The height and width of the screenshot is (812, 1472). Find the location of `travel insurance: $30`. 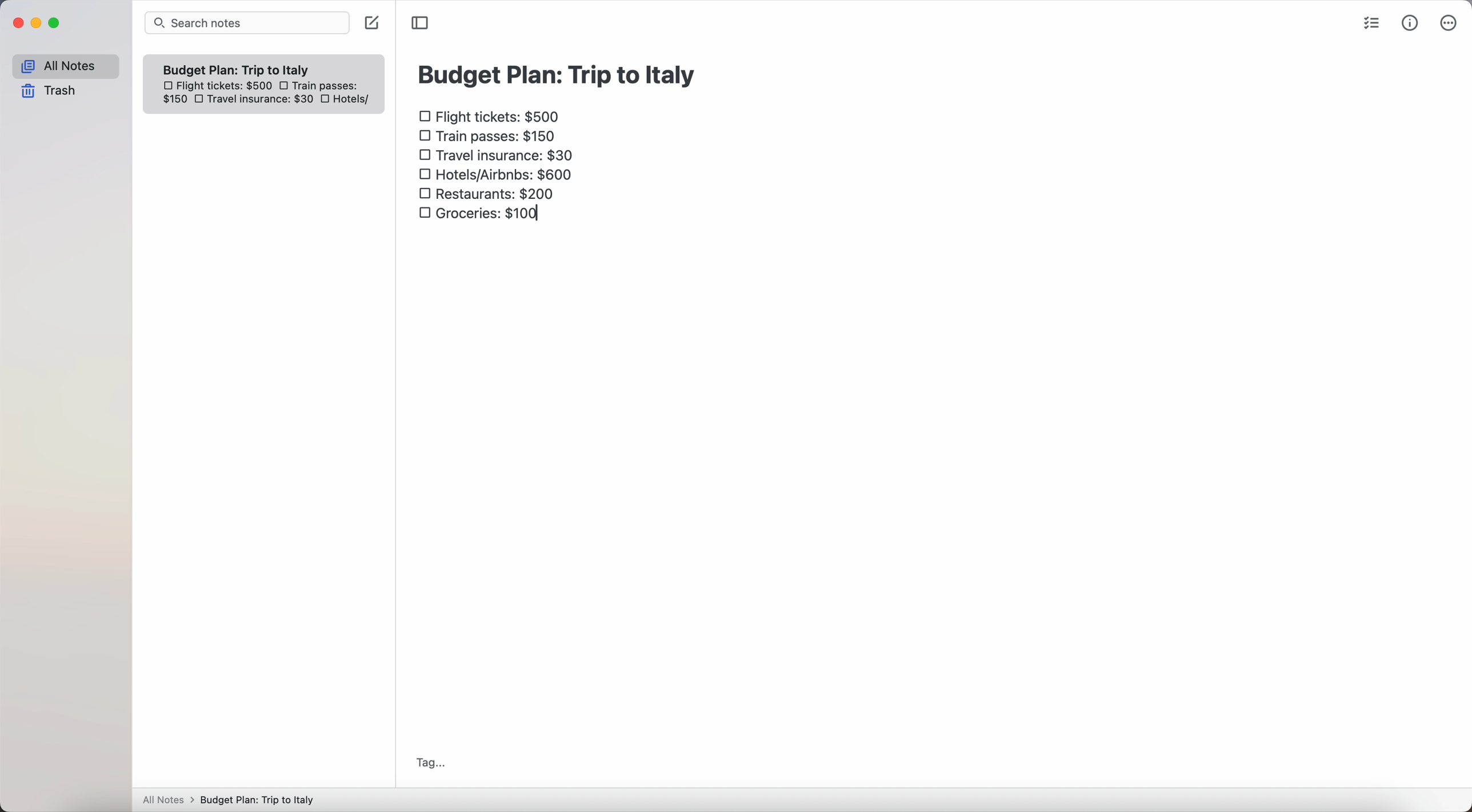

travel insurance: $30 is located at coordinates (263, 101).